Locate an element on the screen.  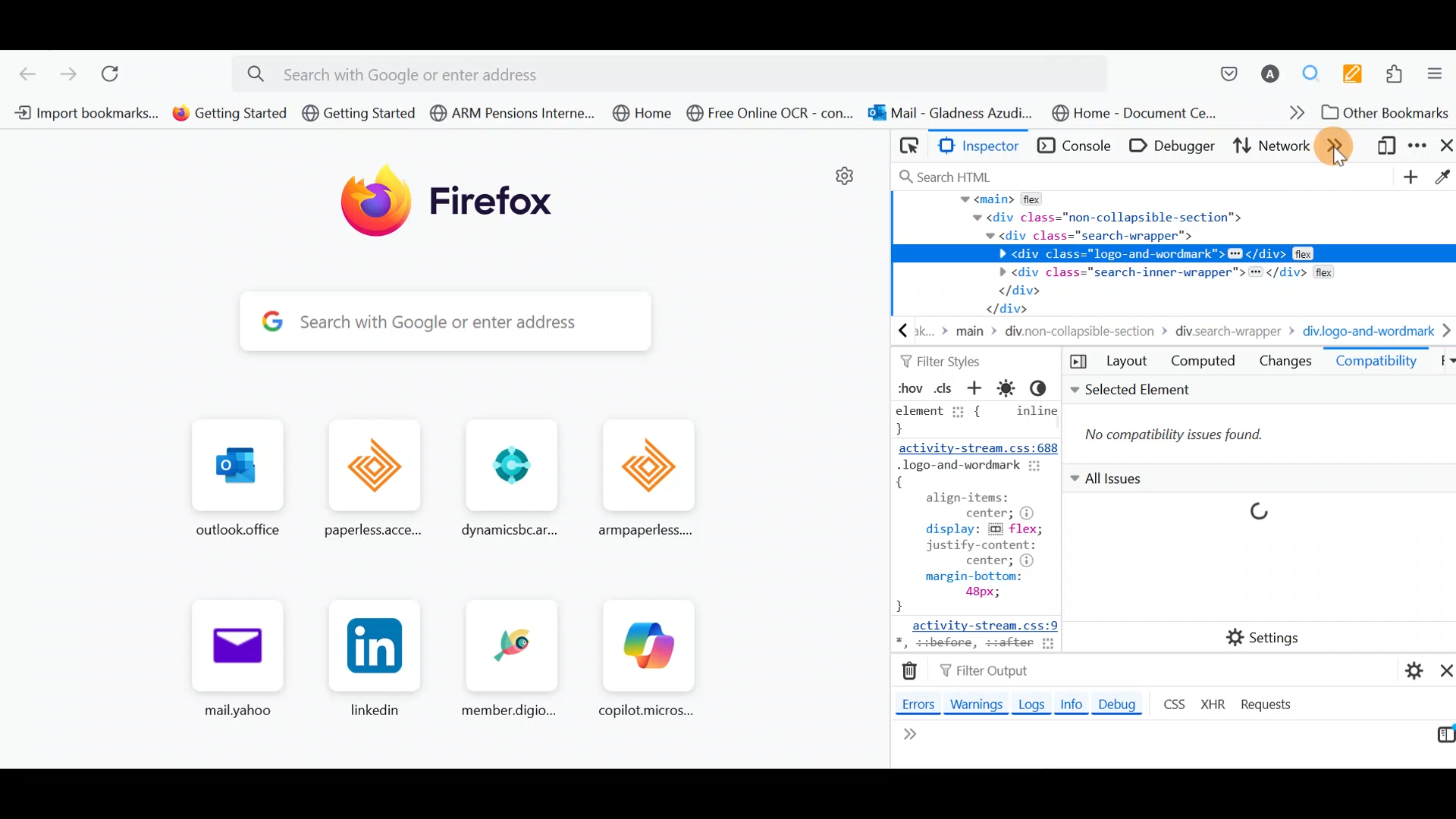
Extensions is located at coordinates (1399, 76).